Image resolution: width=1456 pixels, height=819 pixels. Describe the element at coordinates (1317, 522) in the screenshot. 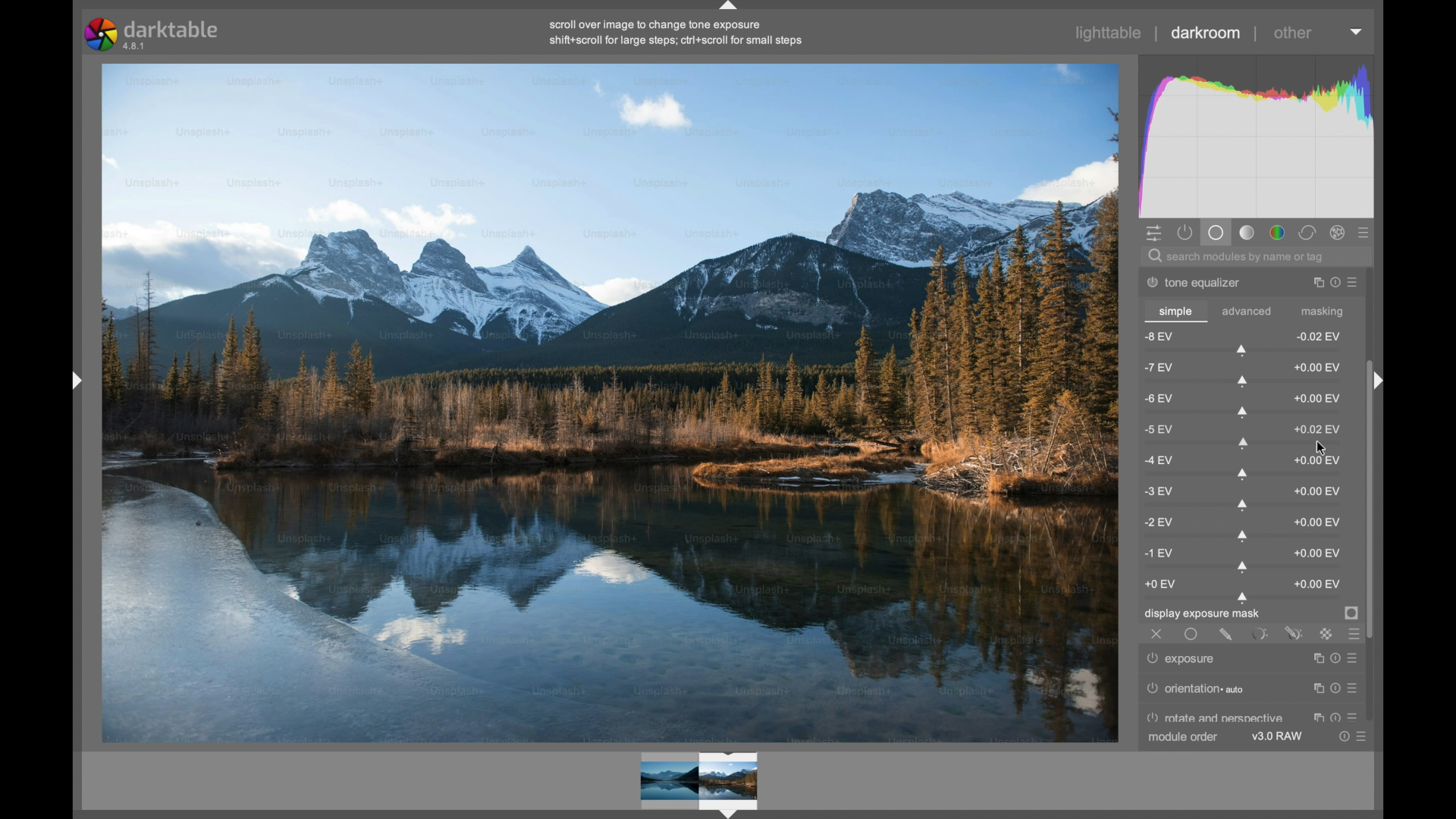

I see `0.00 ev` at that location.